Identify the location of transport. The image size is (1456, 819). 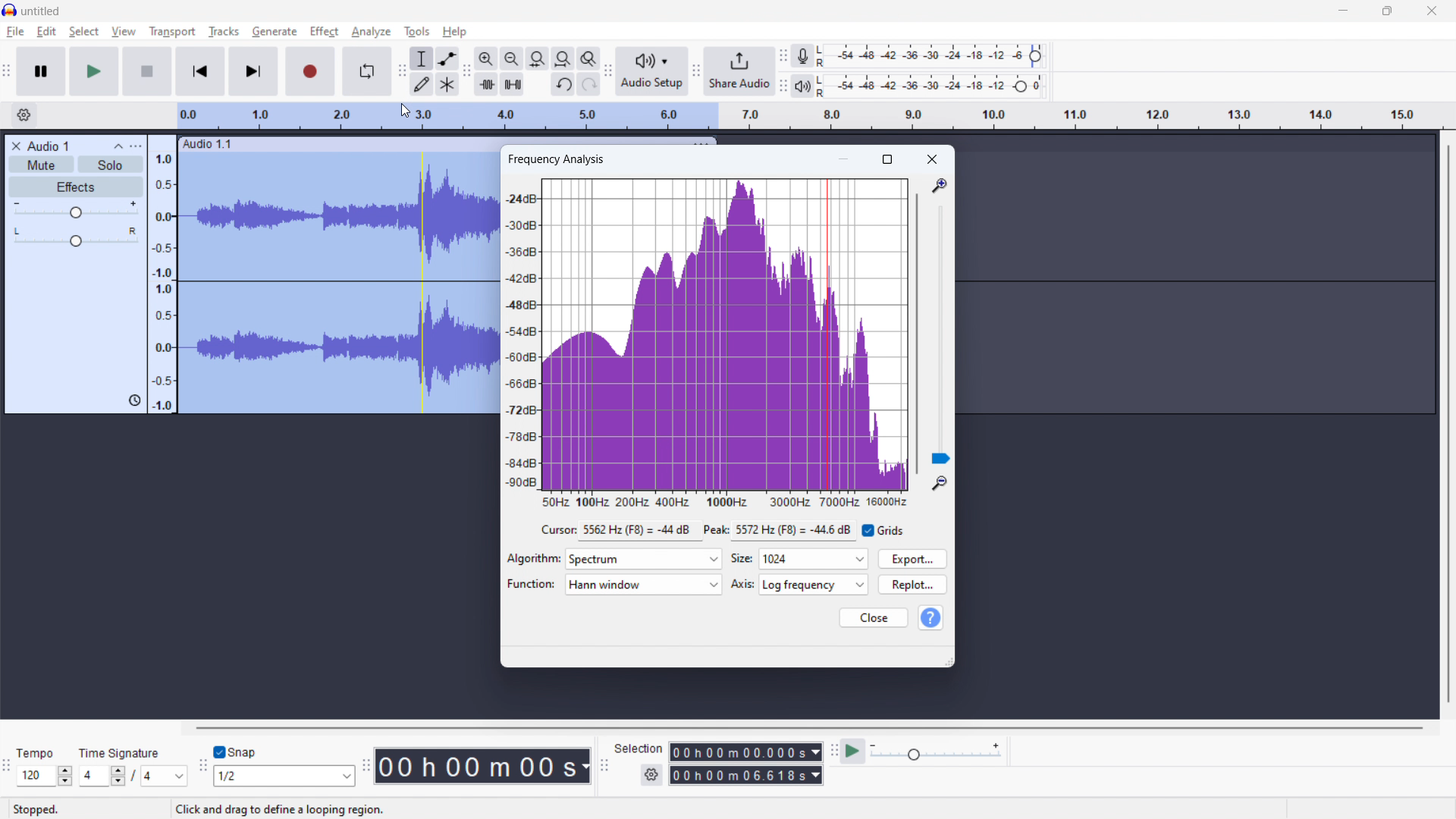
(171, 31).